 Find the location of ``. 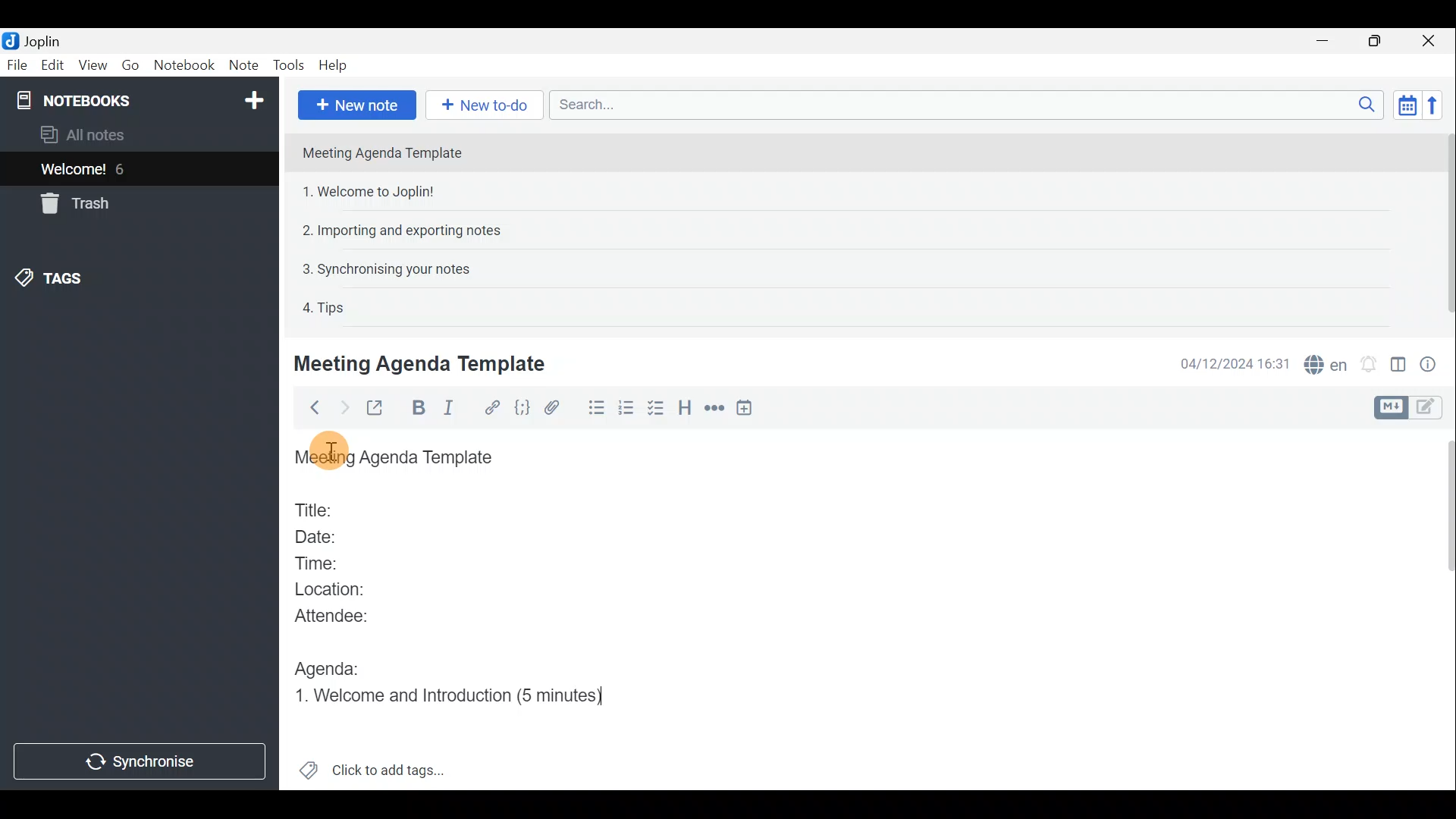

 is located at coordinates (334, 450).